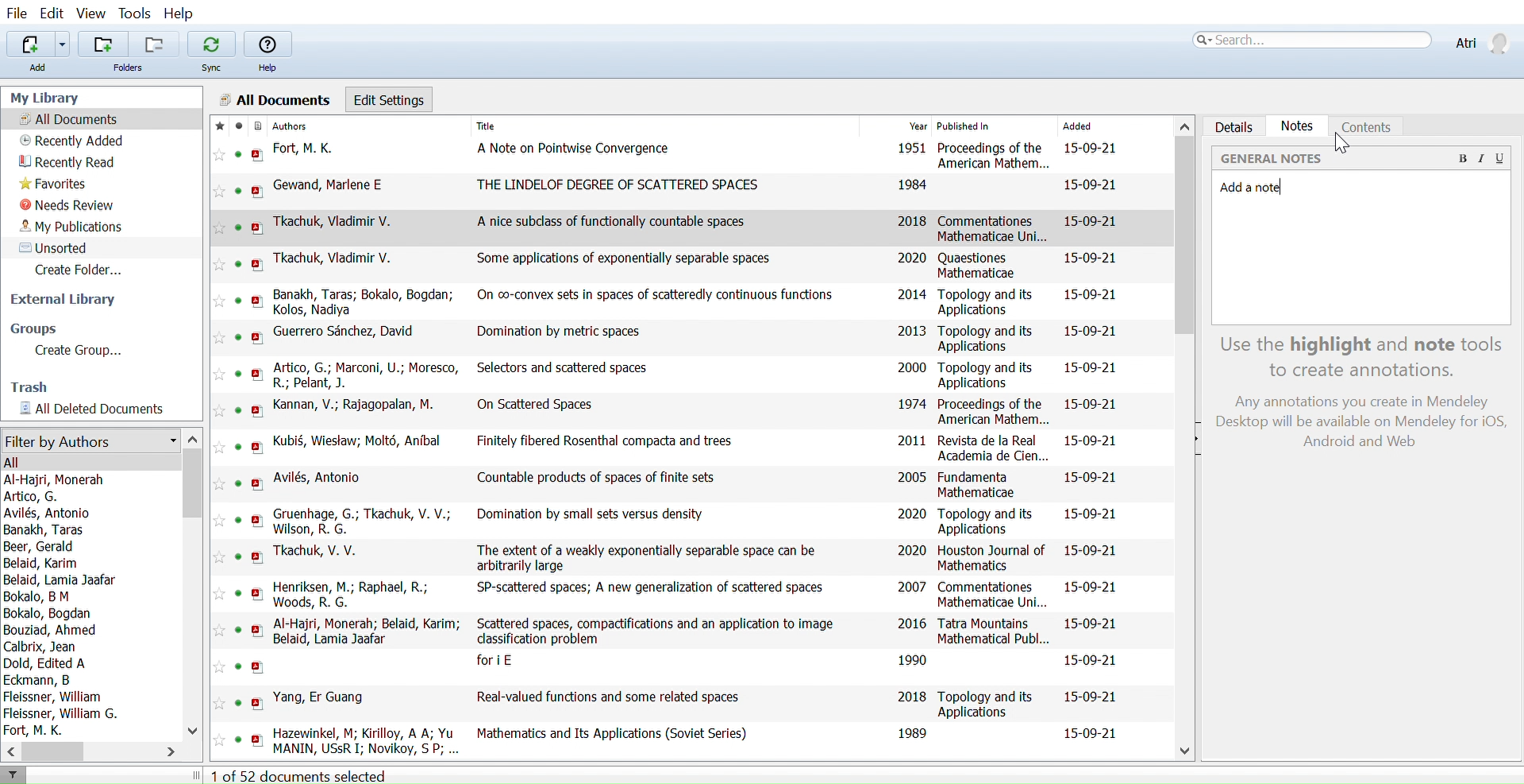 This screenshot has width=1524, height=784. What do you see at coordinates (36, 597) in the screenshot?
I see `Bokalo, B M` at bounding box center [36, 597].